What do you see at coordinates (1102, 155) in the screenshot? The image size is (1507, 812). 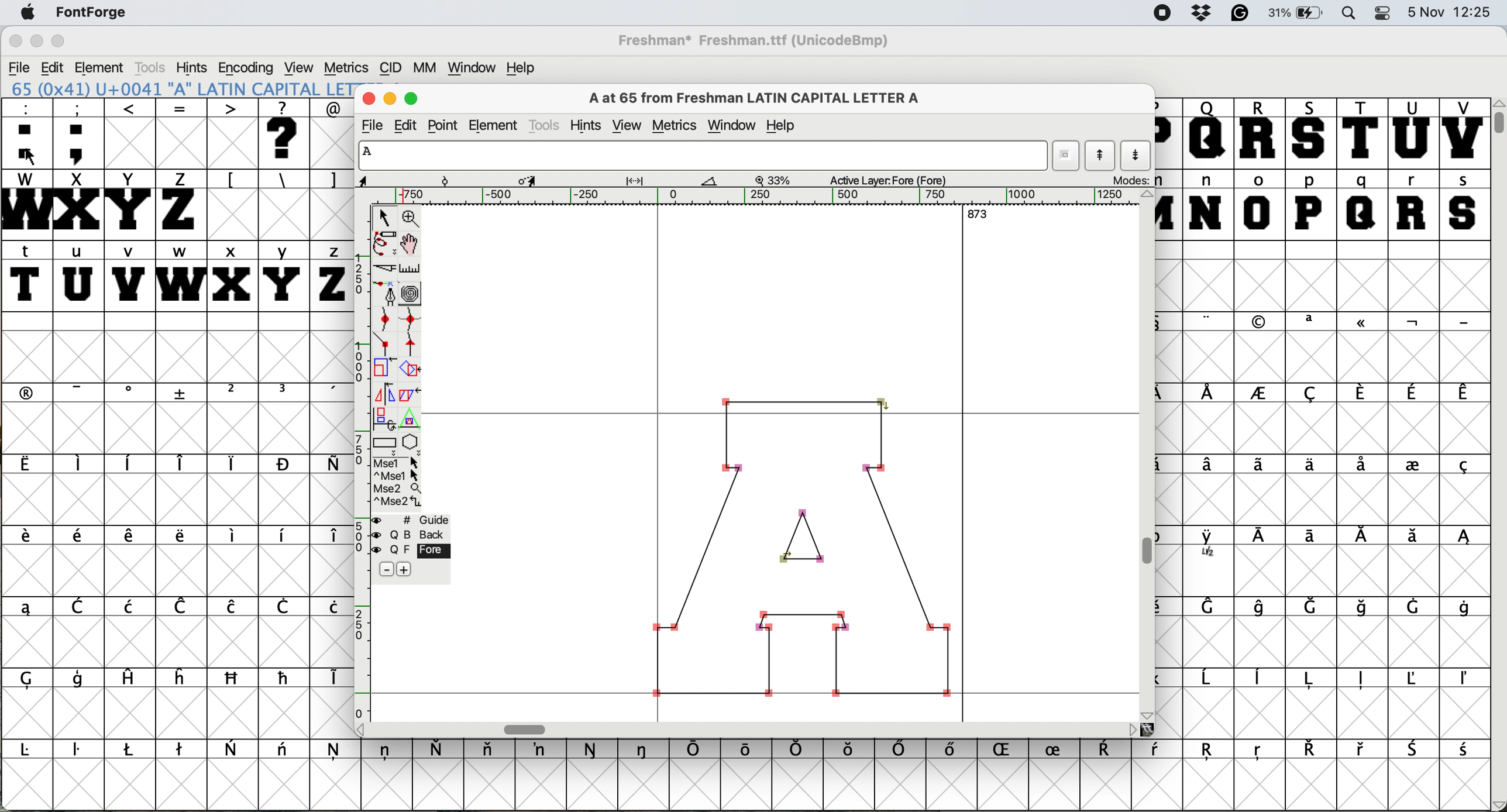 I see `show previous character` at bounding box center [1102, 155].